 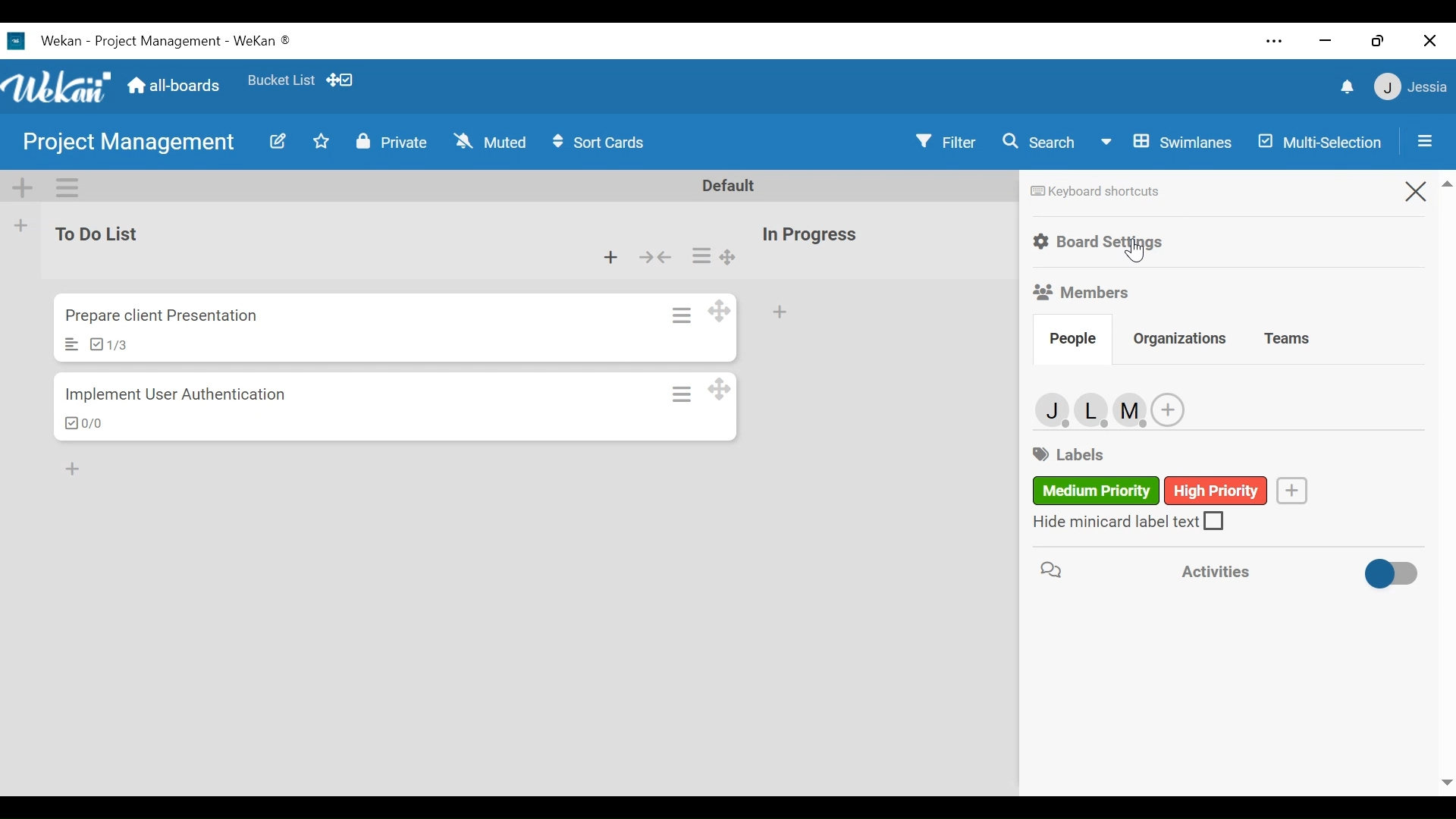 I want to click on Checklist, so click(x=83, y=424).